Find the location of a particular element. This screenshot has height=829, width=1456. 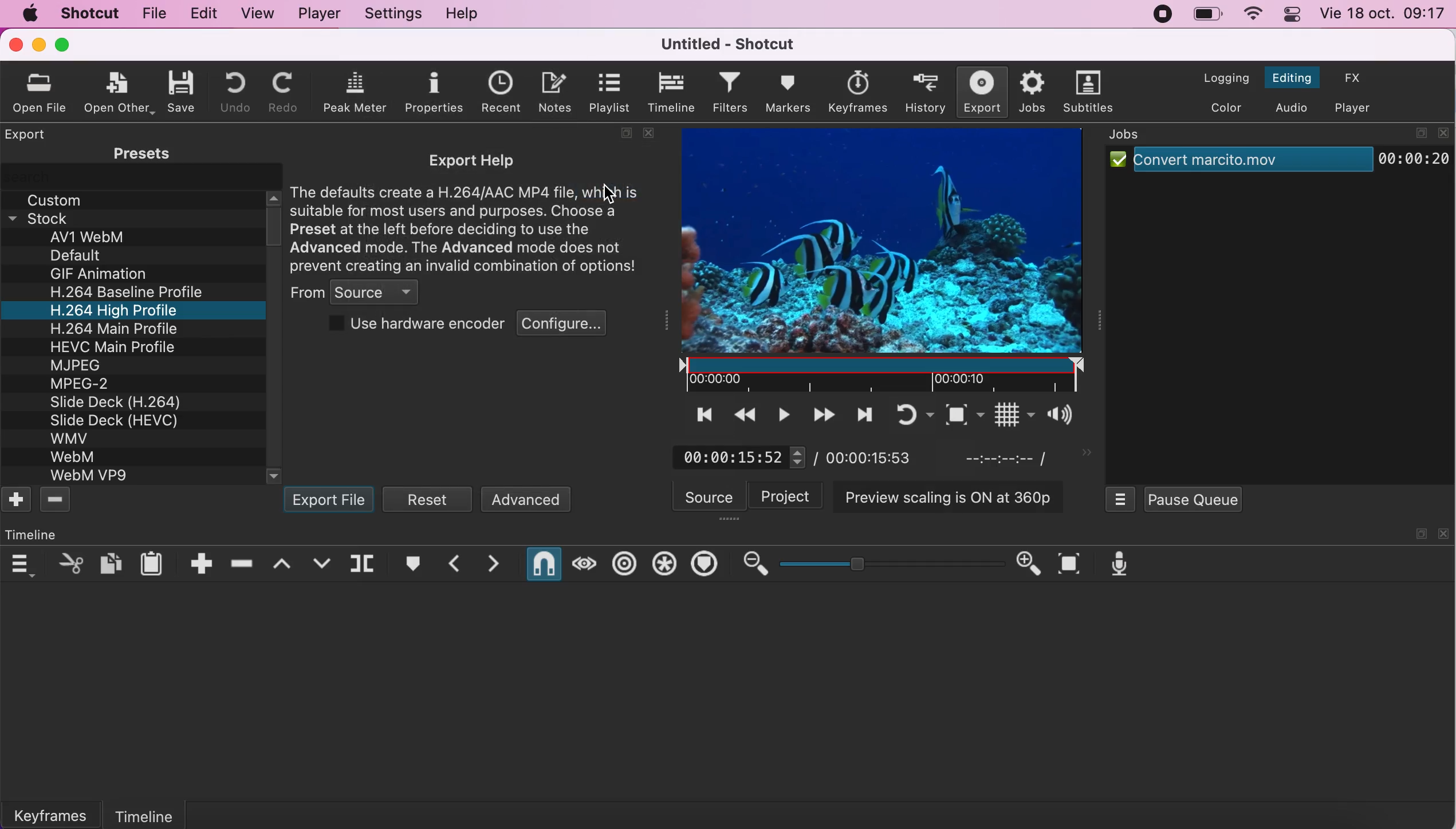

undo is located at coordinates (229, 92).